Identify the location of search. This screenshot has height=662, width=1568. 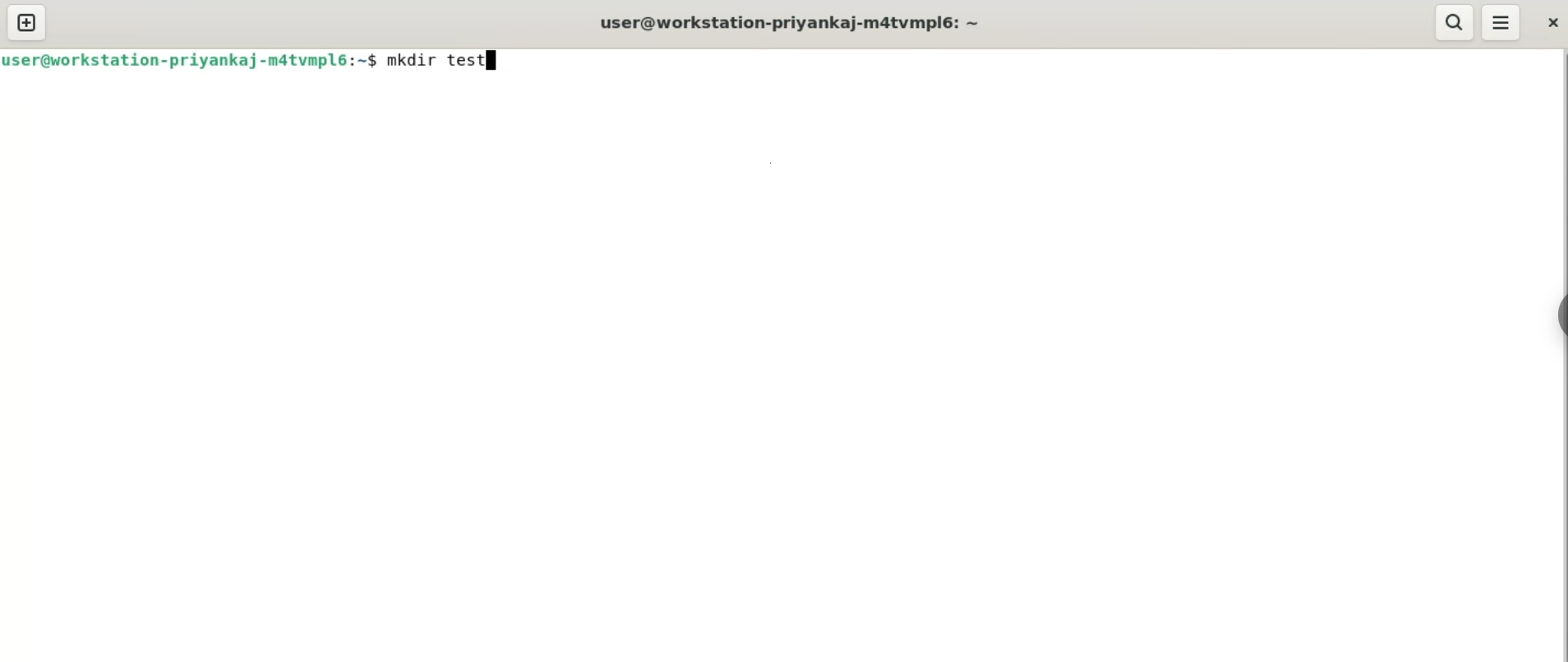
(1455, 22).